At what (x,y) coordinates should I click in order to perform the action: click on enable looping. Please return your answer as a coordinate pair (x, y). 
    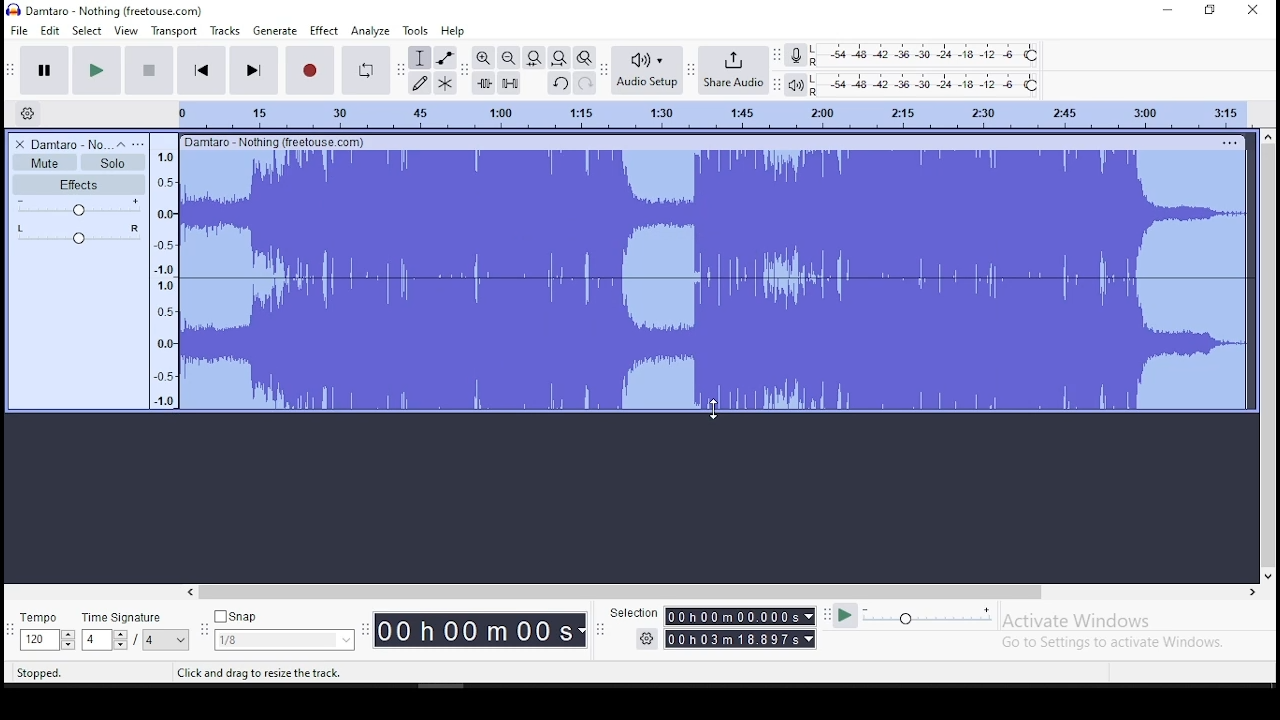
    Looking at the image, I should click on (364, 71).